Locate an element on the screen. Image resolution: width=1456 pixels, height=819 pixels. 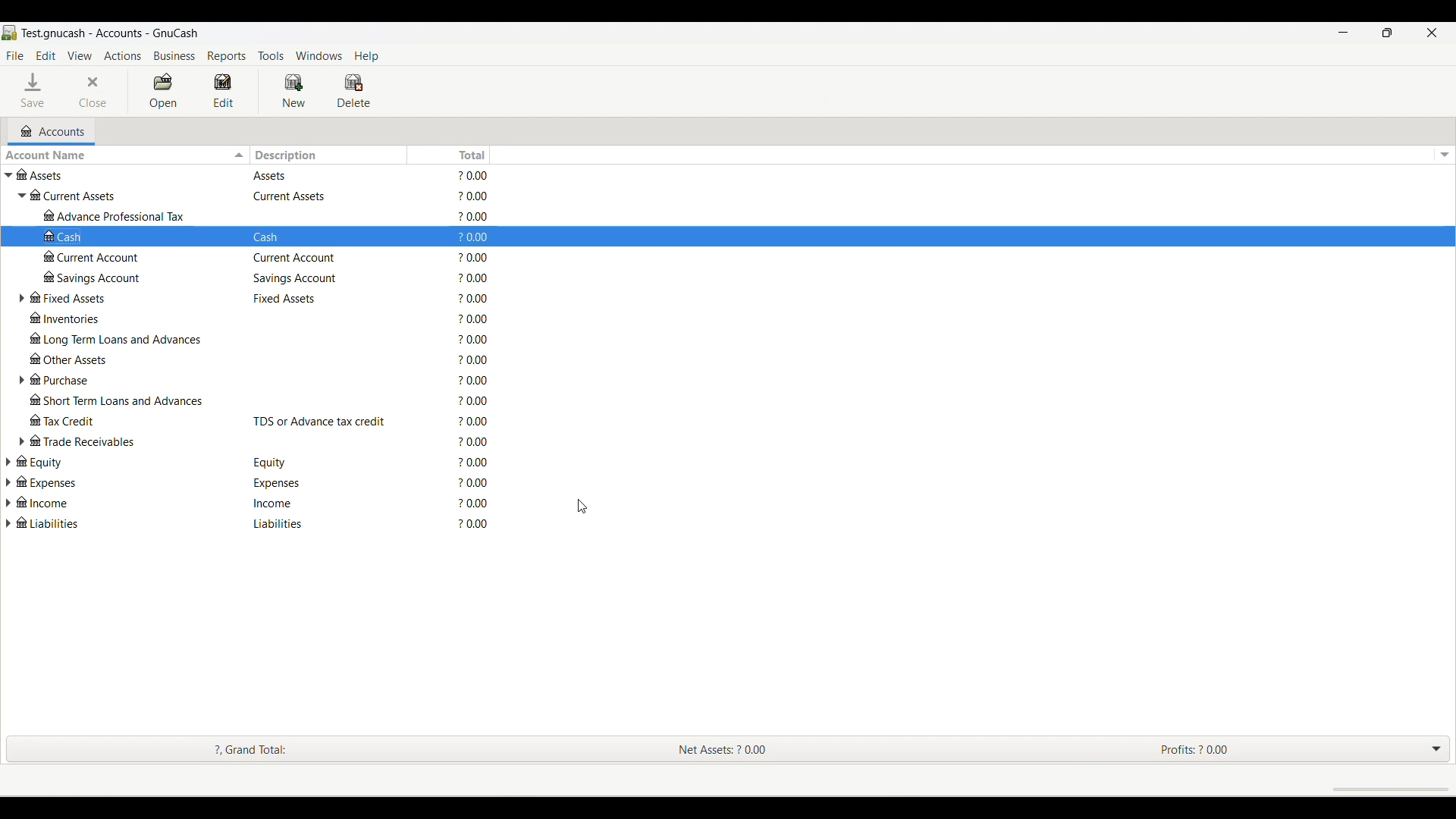
Expand Purchase is located at coordinates (21, 380).